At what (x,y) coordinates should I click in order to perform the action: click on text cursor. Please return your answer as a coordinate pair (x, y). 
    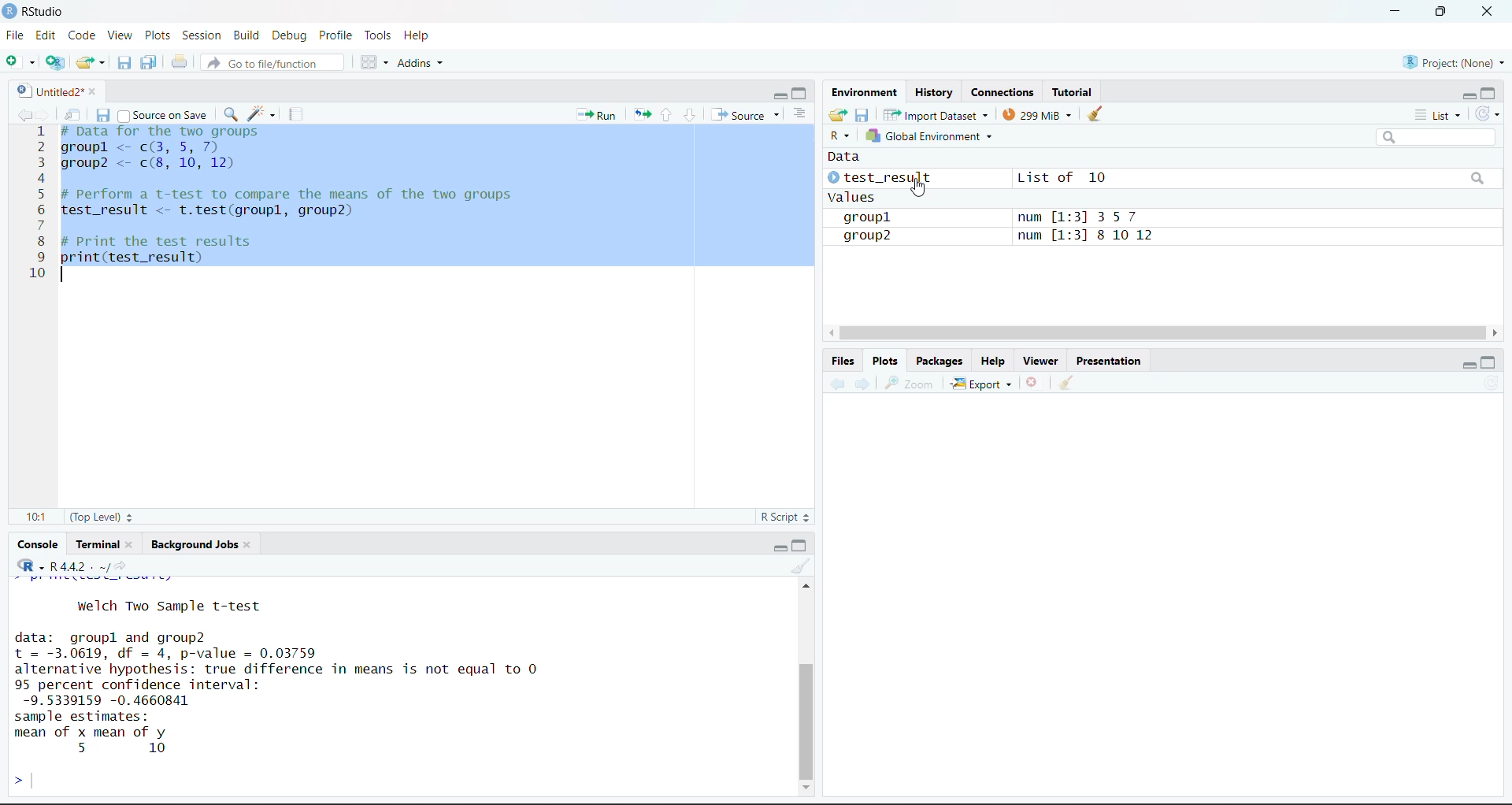
    Looking at the image, I should click on (61, 274).